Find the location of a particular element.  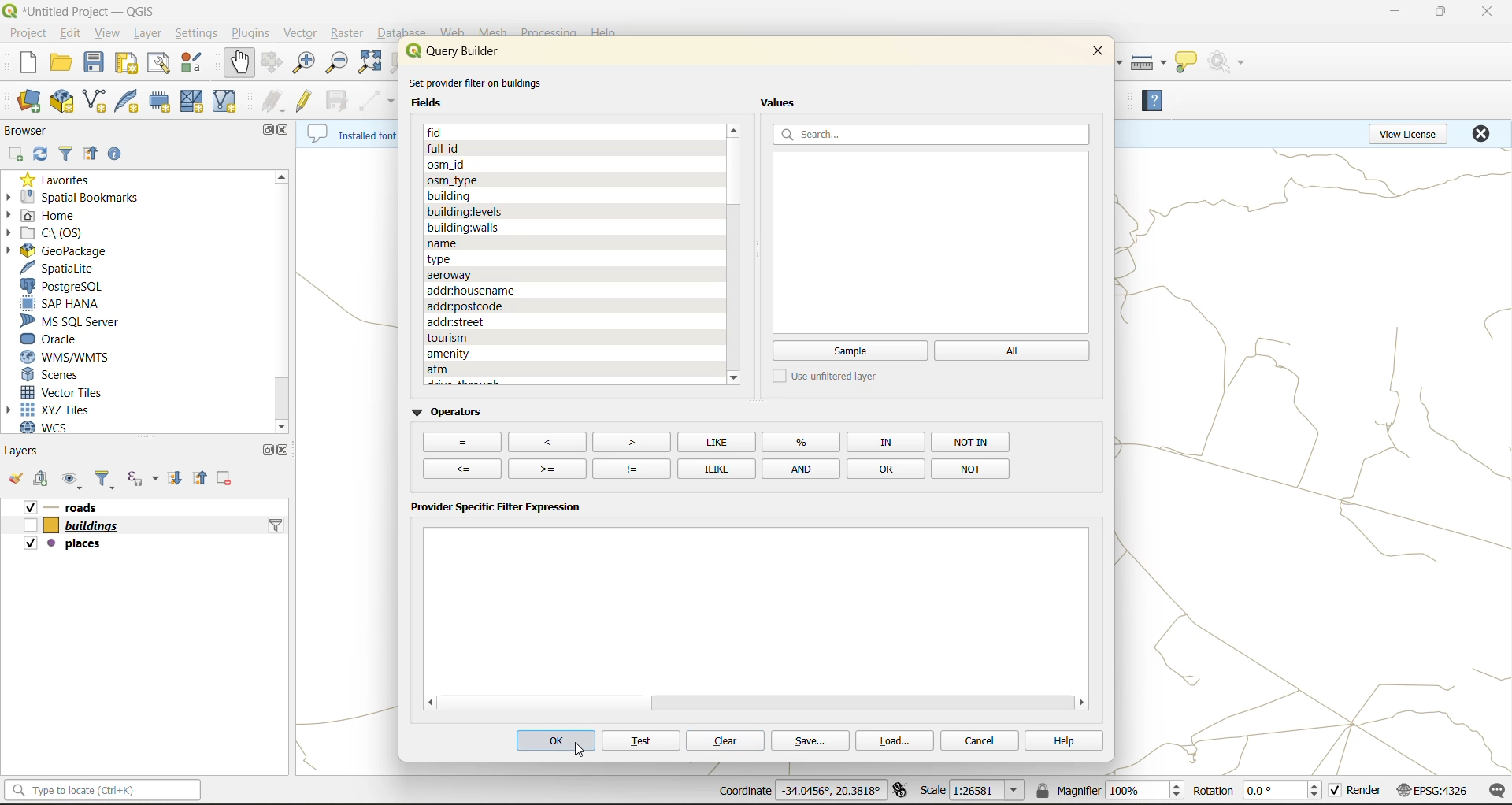

scale is located at coordinates (976, 792).